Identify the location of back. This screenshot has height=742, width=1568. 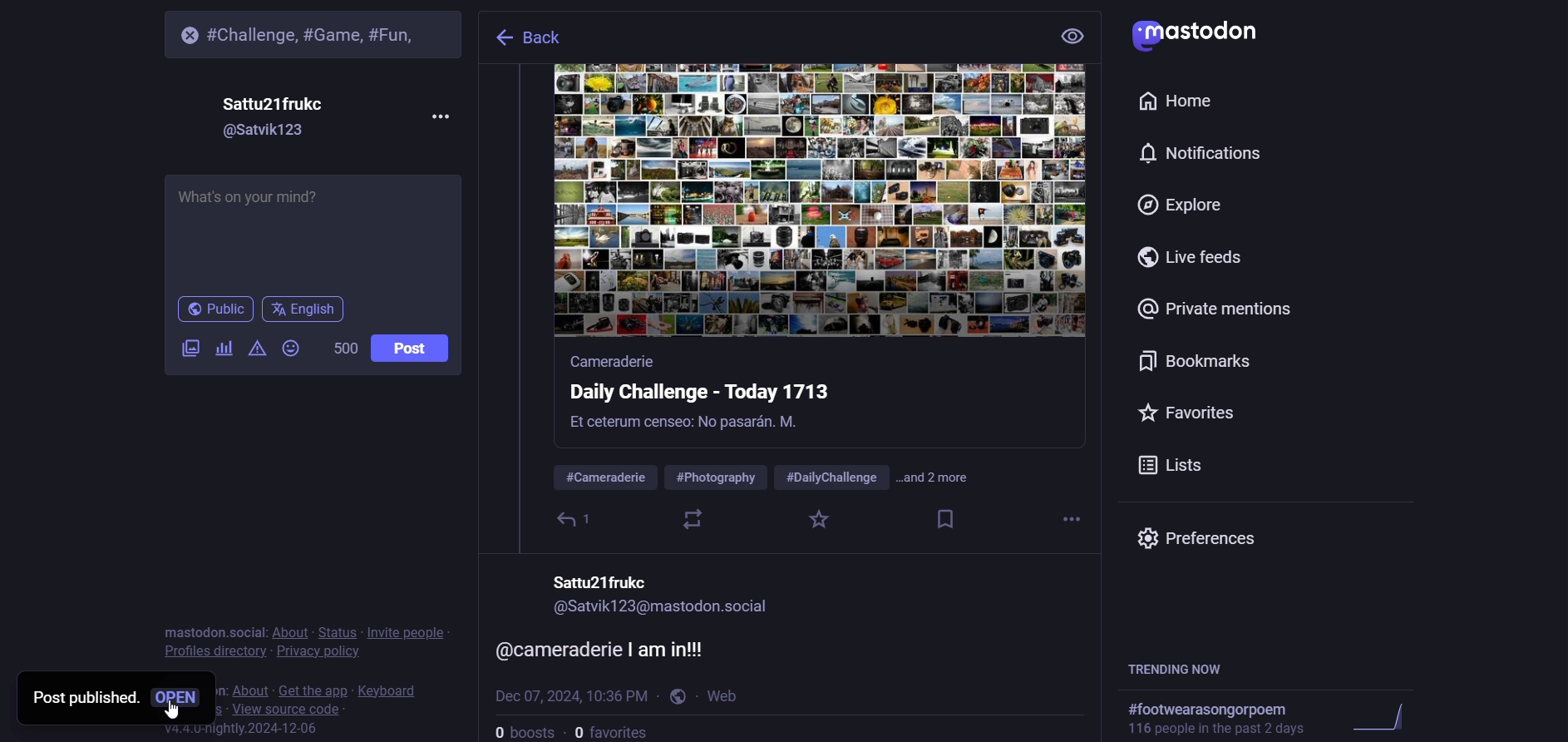
(560, 41).